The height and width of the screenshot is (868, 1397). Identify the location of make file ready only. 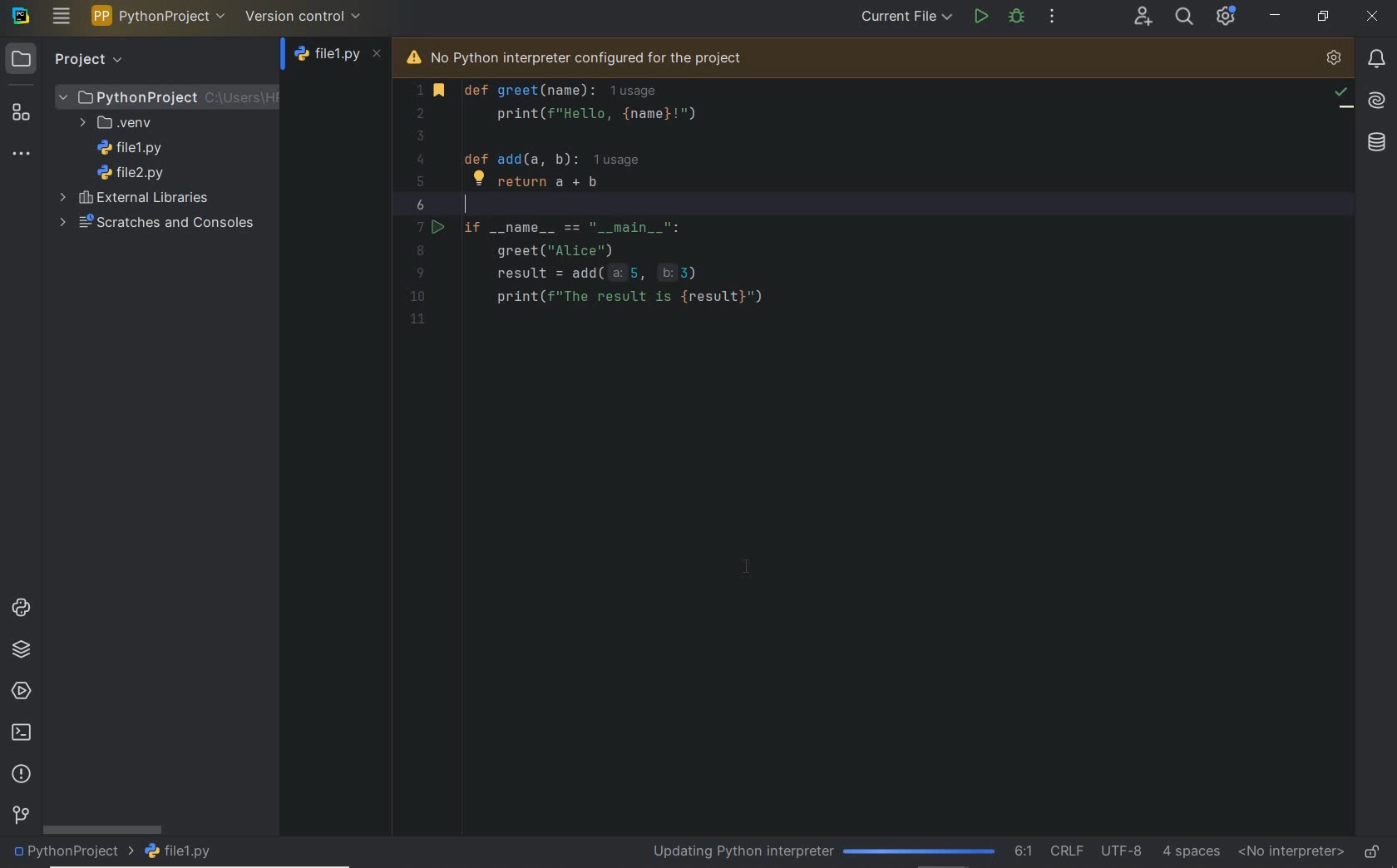
(1372, 851).